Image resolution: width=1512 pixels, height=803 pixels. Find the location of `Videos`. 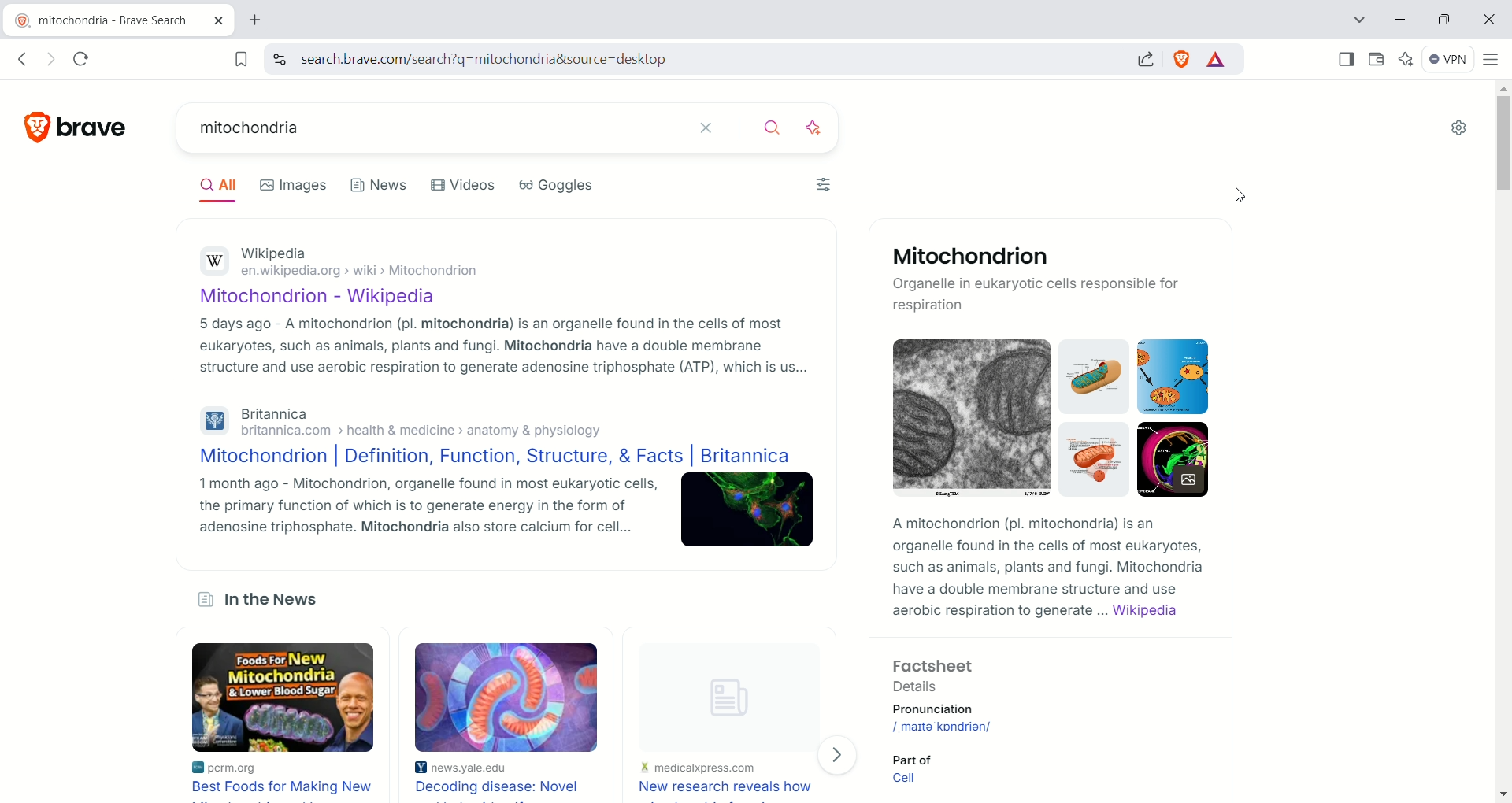

Videos is located at coordinates (462, 185).